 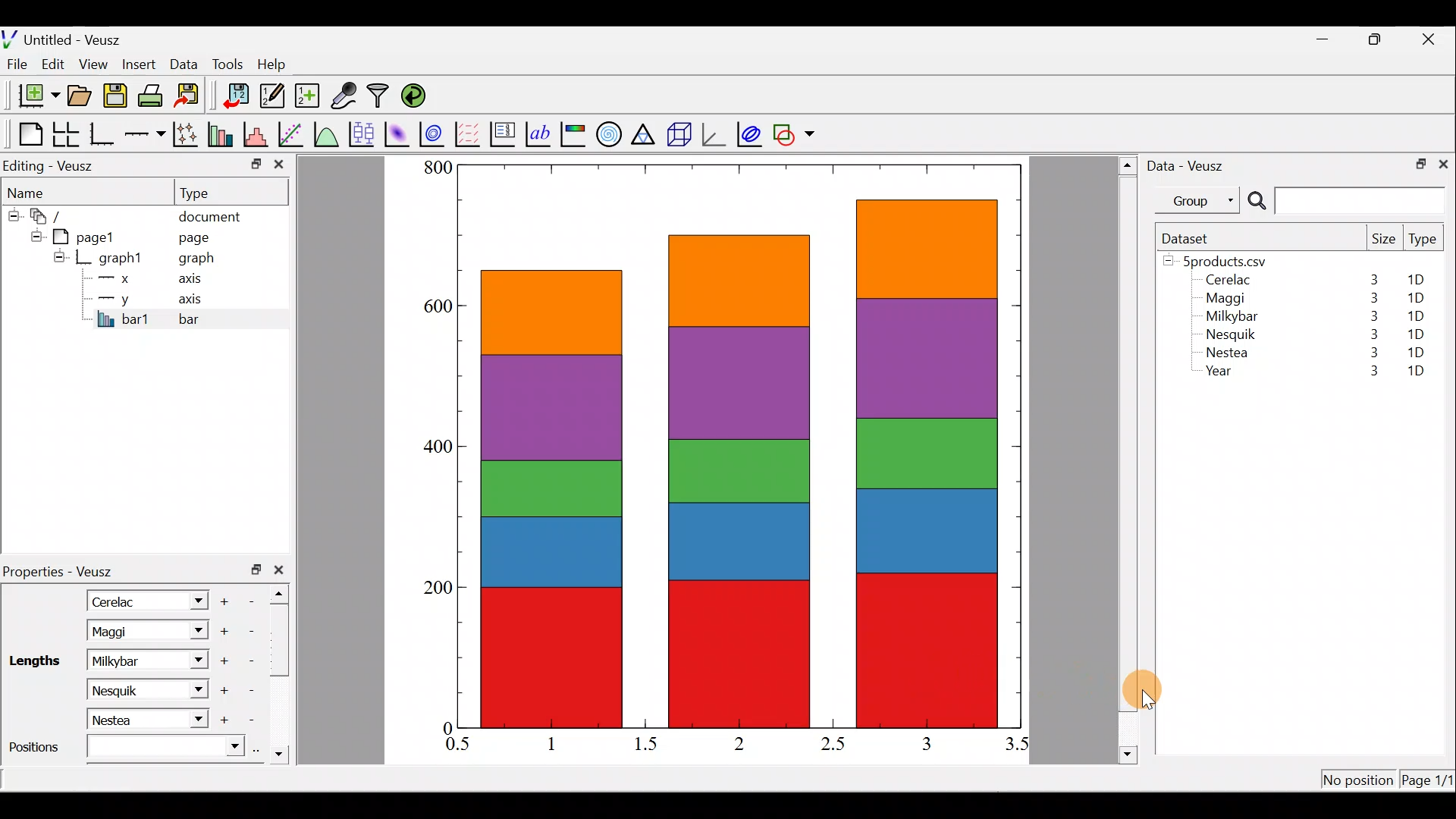 What do you see at coordinates (223, 691) in the screenshot?
I see `Add another item` at bounding box center [223, 691].